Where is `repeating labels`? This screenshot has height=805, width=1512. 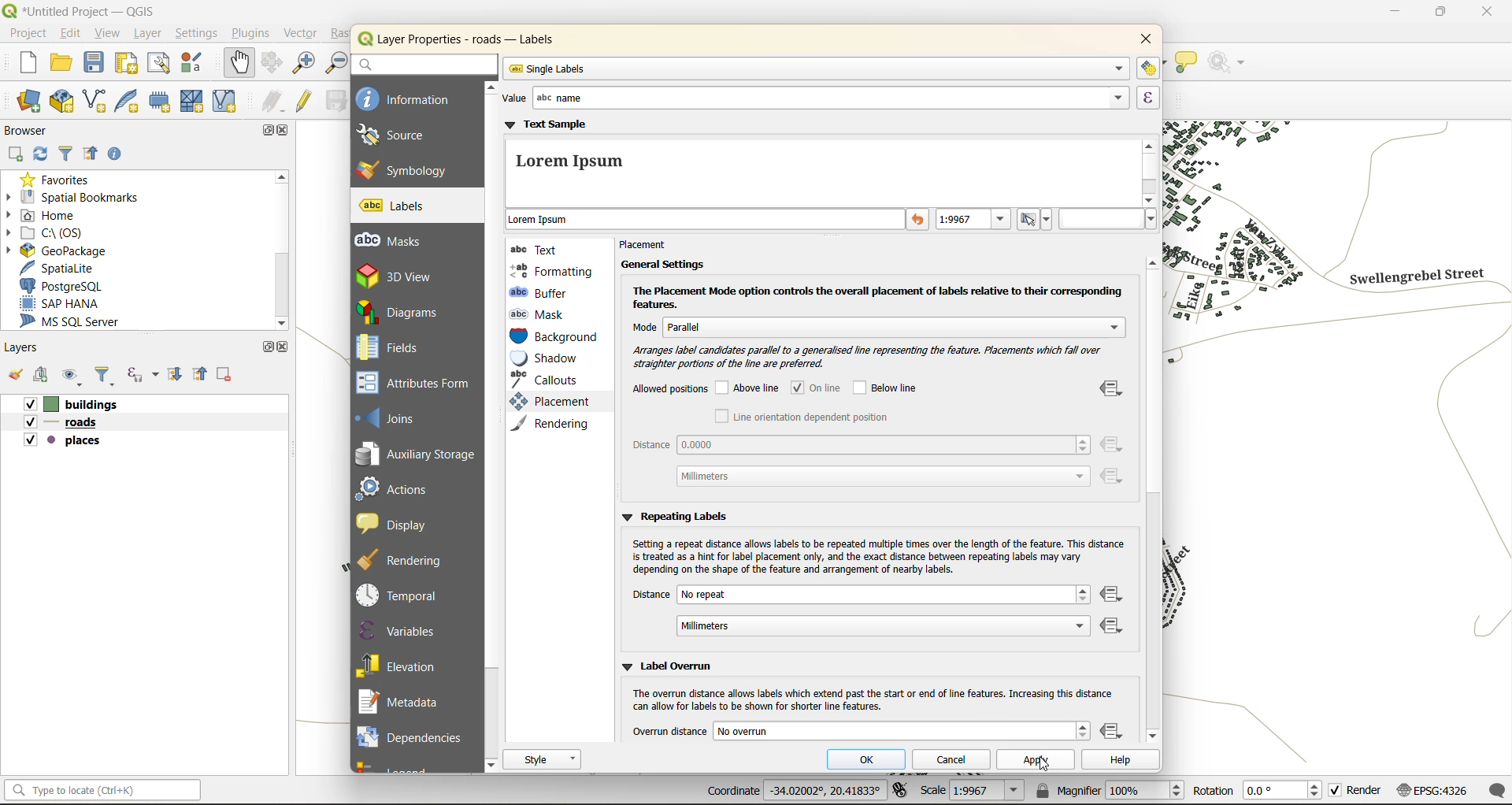 repeating labels is located at coordinates (673, 515).